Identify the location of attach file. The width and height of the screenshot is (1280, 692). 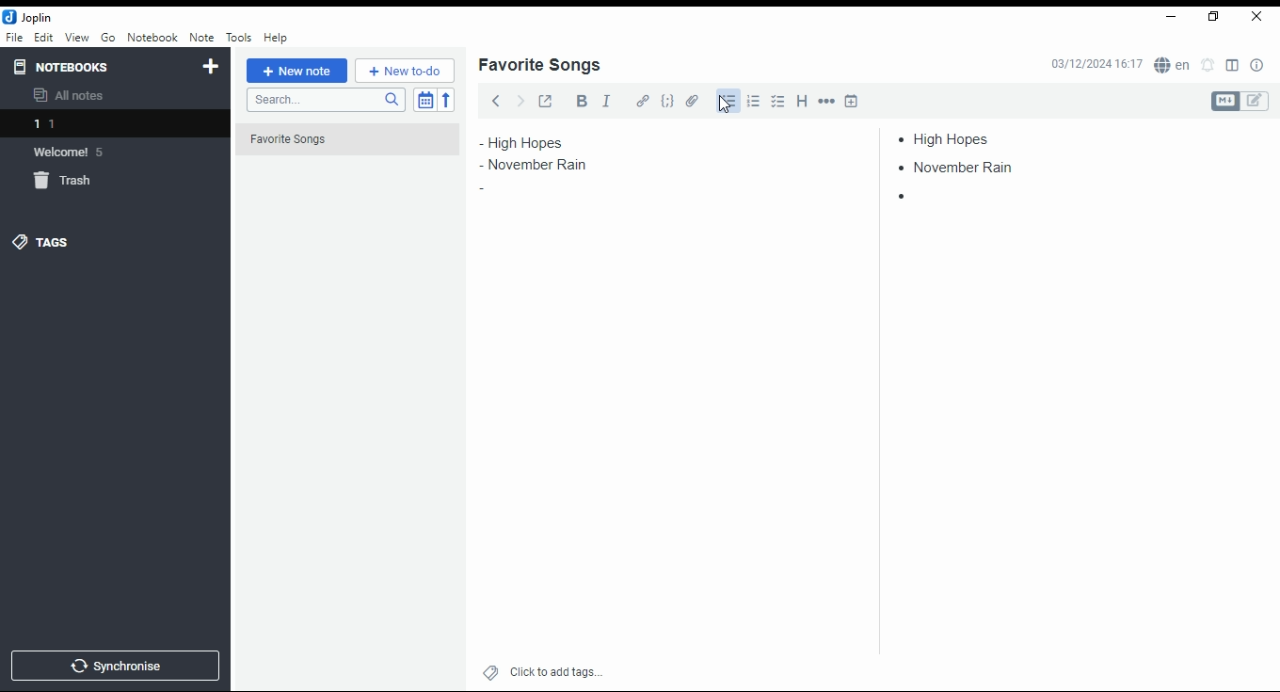
(693, 100).